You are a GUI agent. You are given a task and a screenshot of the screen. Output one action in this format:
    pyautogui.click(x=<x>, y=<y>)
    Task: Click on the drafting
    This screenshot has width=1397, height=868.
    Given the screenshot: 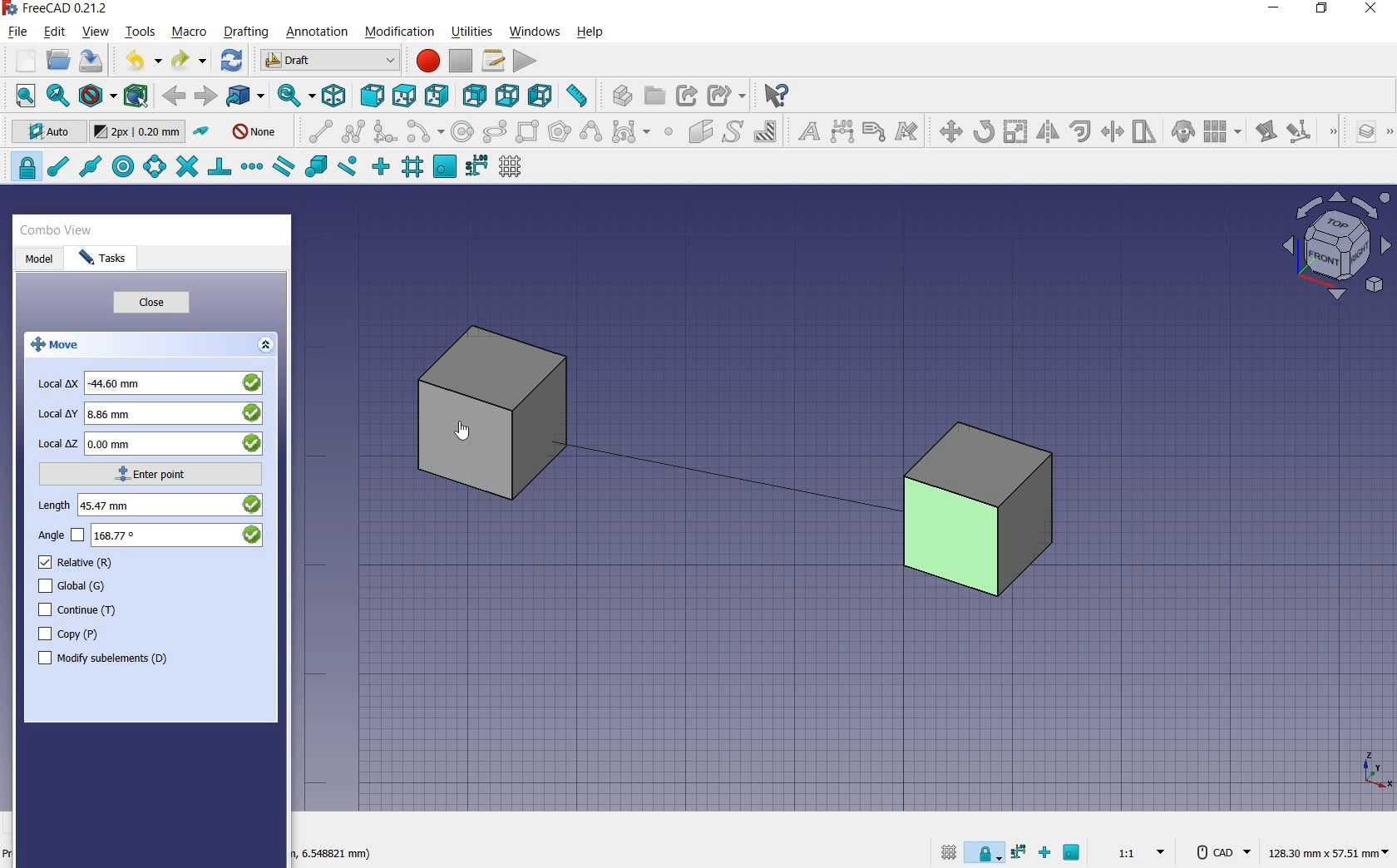 What is the action you would take?
    pyautogui.click(x=246, y=32)
    